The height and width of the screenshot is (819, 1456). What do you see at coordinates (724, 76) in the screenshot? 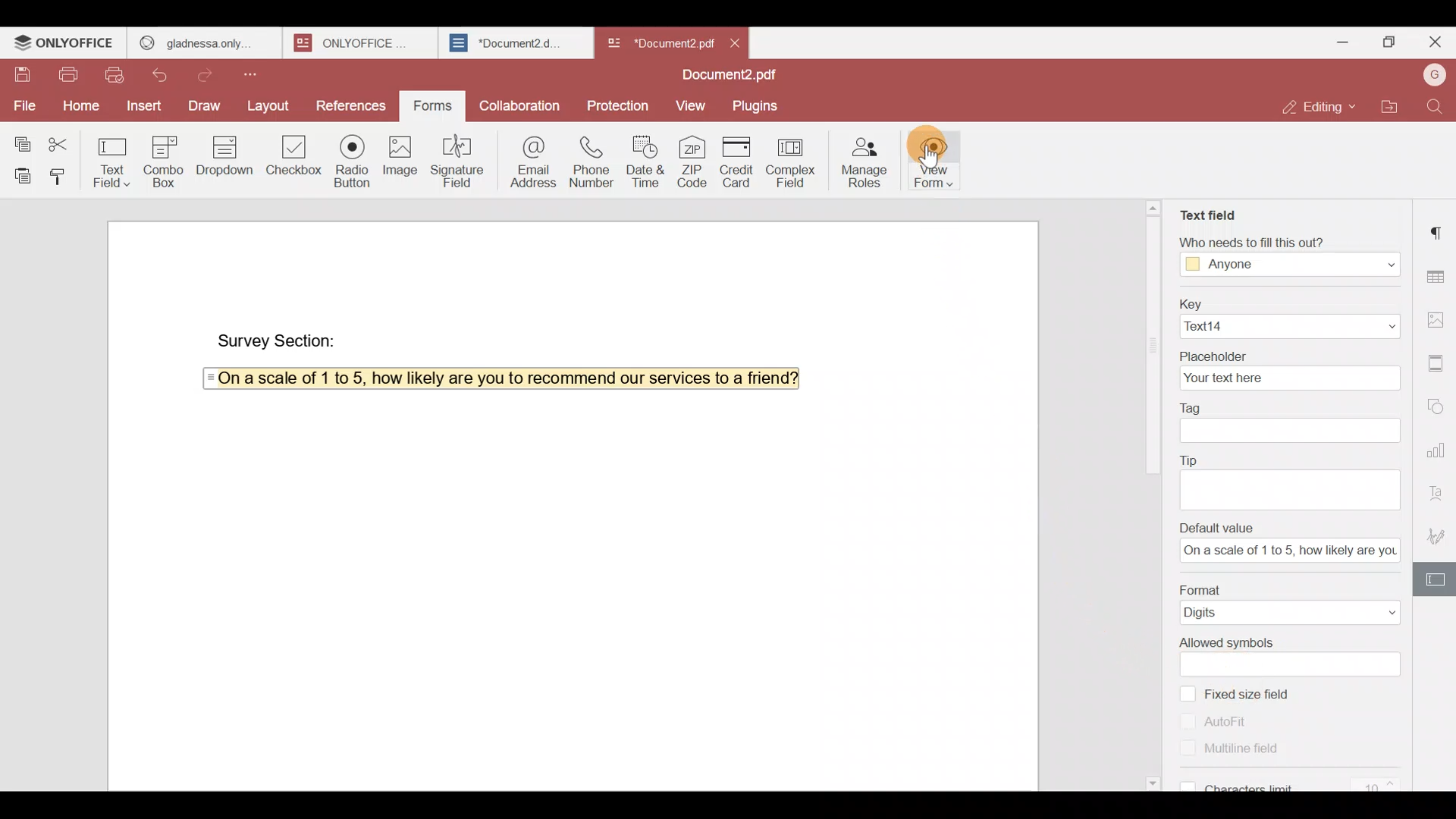
I see `Document2.pdf` at bounding box center [724, 76].